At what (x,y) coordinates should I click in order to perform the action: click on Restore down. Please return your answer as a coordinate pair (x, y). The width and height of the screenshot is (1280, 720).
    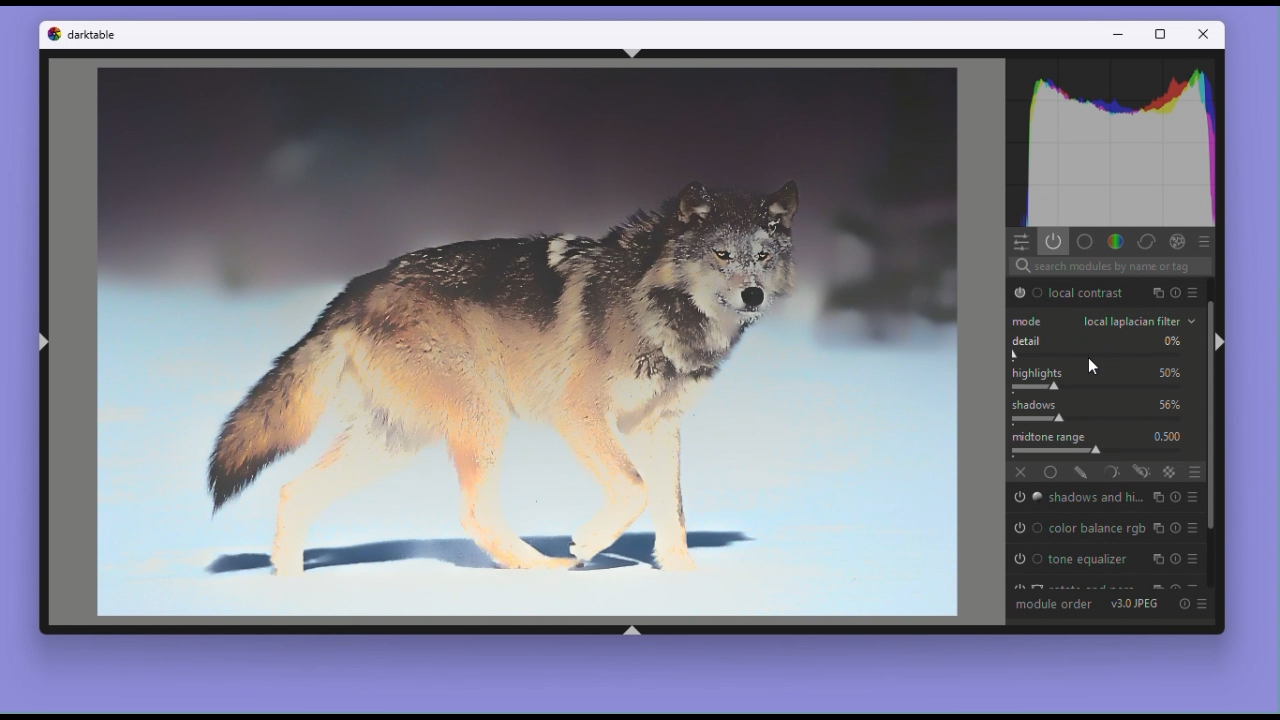
    Looking at the image, I should click on (1163, 34).